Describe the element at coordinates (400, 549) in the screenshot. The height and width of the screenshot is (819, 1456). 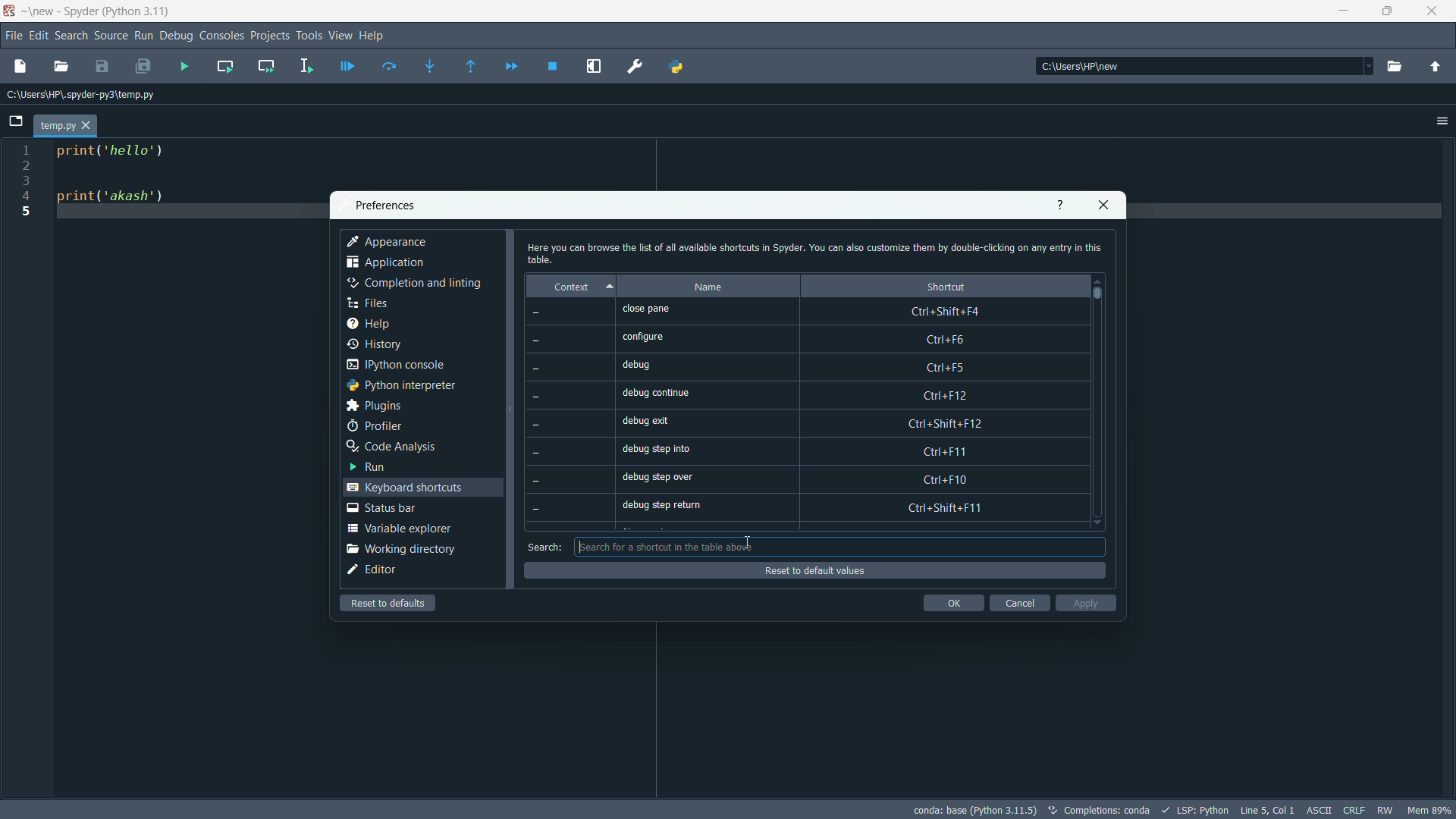
I see `working directory` at that location.